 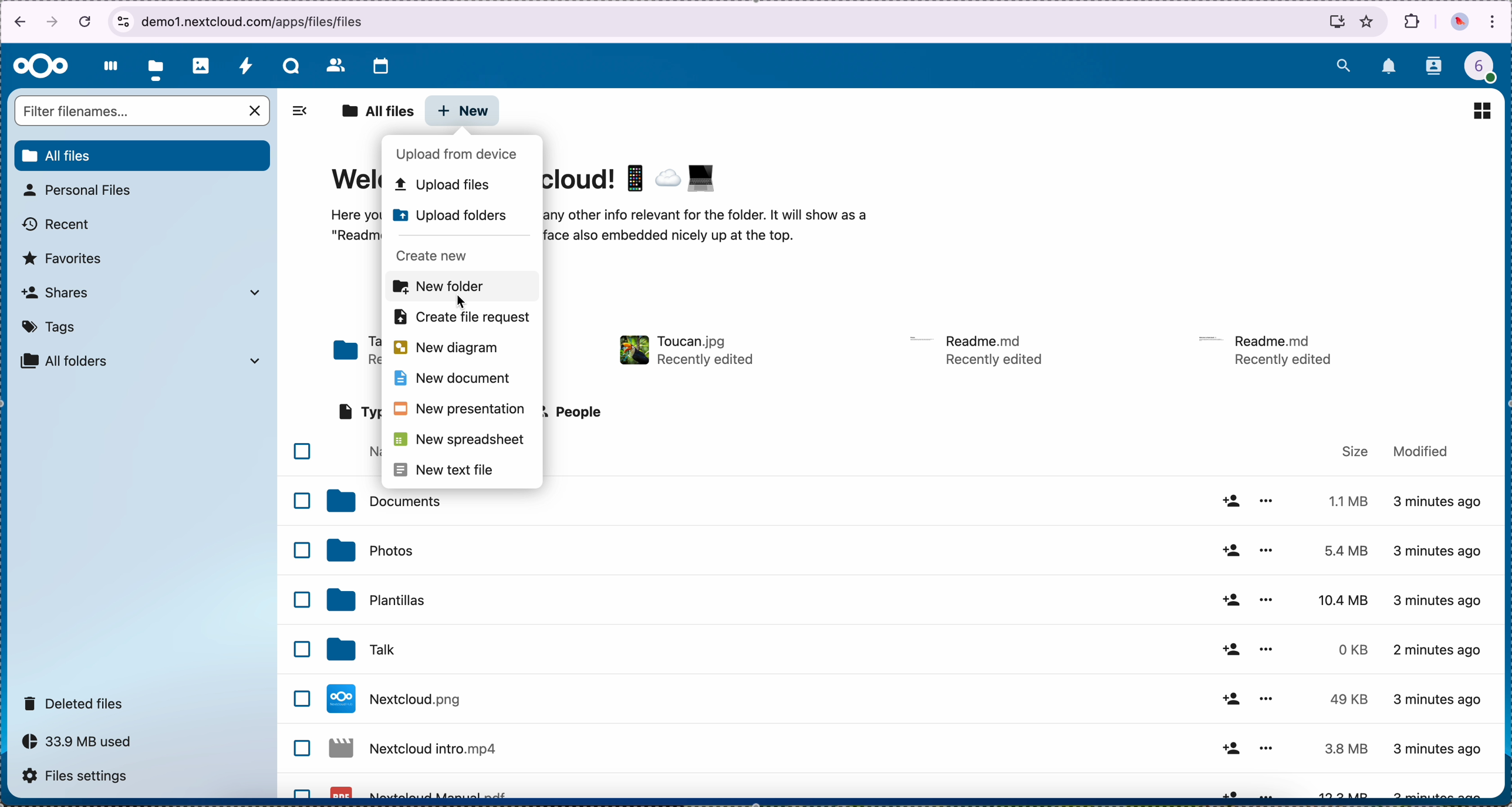 I want to click on 3 minutes ago, so click(x=1440, y=505).